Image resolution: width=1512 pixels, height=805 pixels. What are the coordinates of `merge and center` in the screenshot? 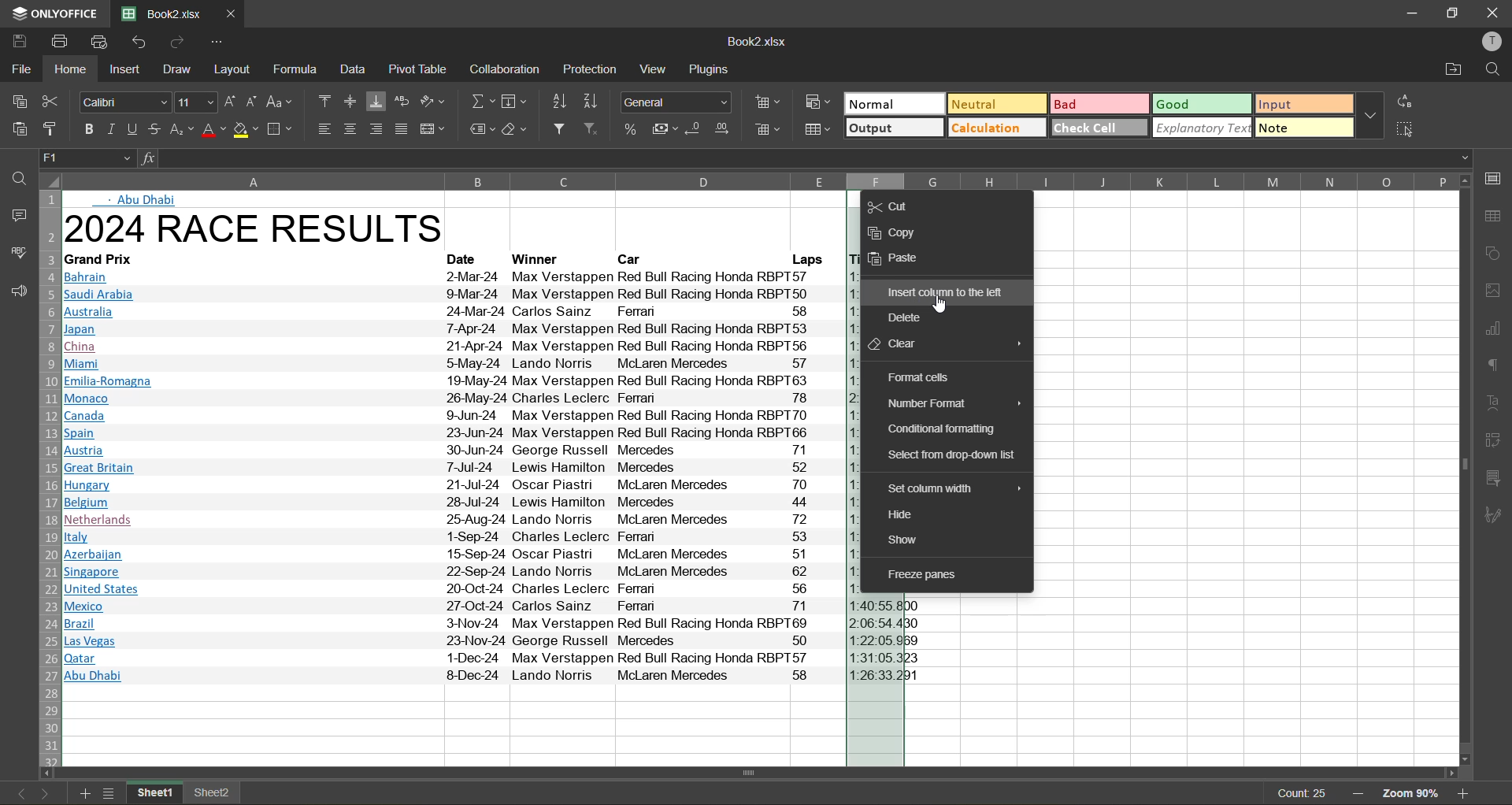 It's located at (432, 127).